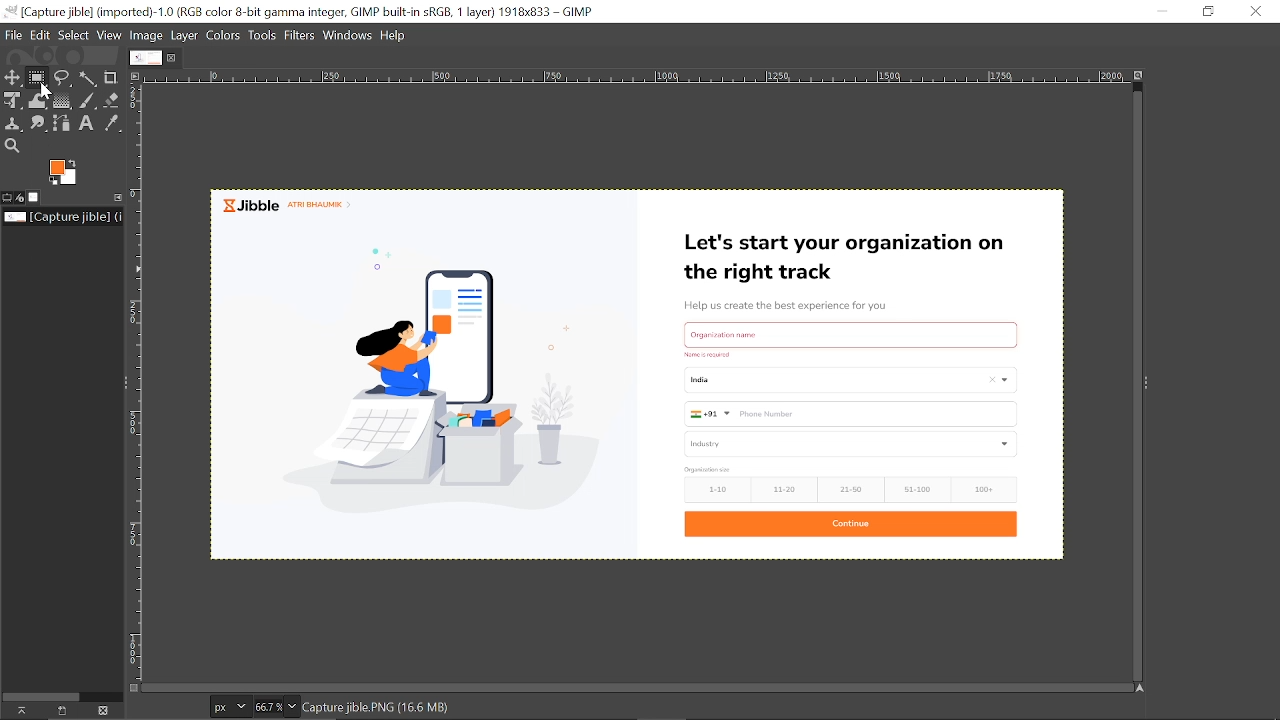 The width and height of the screenshot is (1280, 720). Describe the element at coordinates (302, 35) in the screenshot. I see `Filters` at that location.